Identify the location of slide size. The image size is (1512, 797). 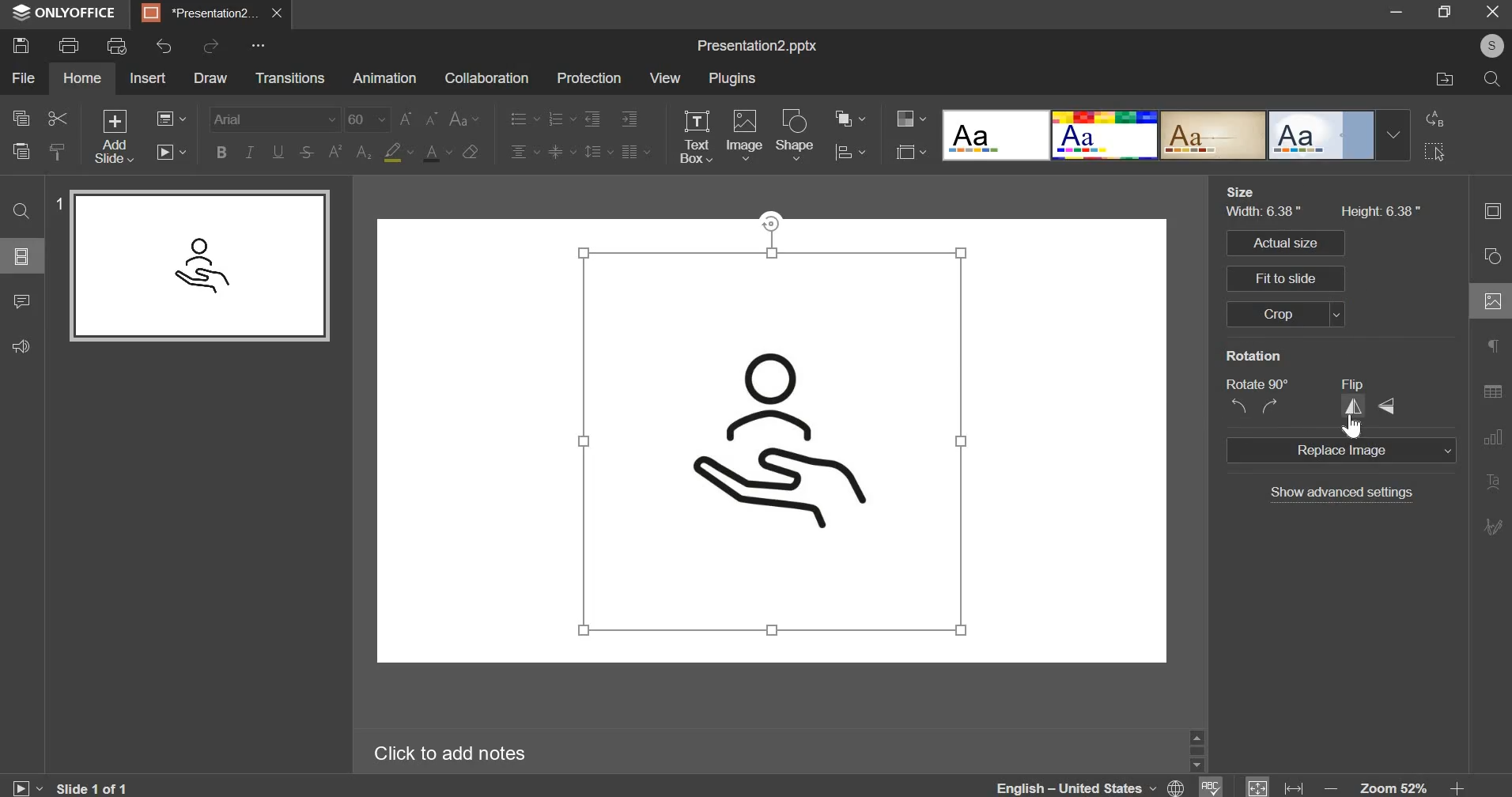
(909, 151).